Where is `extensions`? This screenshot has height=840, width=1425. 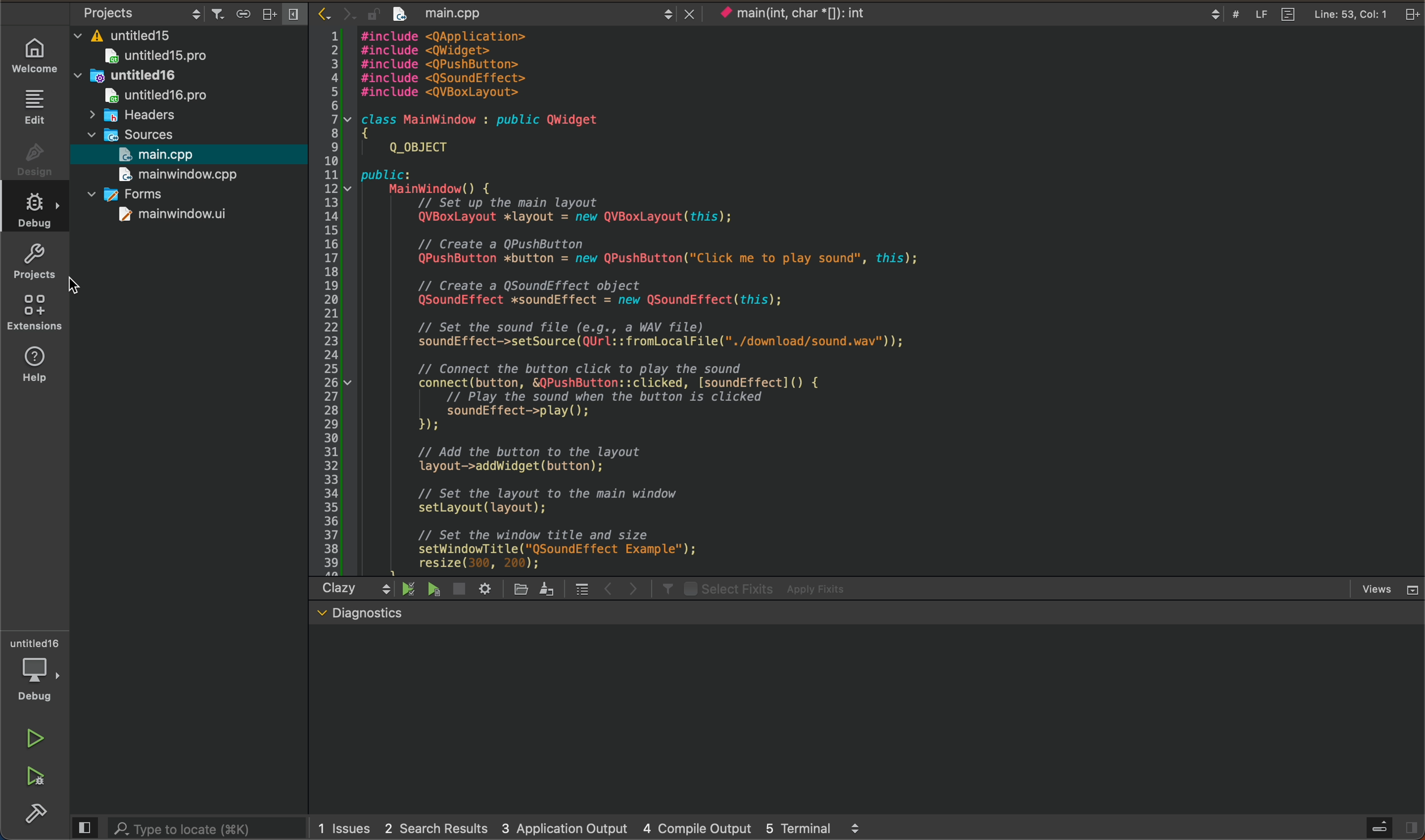
extensions is located at coordinates (34, 312).